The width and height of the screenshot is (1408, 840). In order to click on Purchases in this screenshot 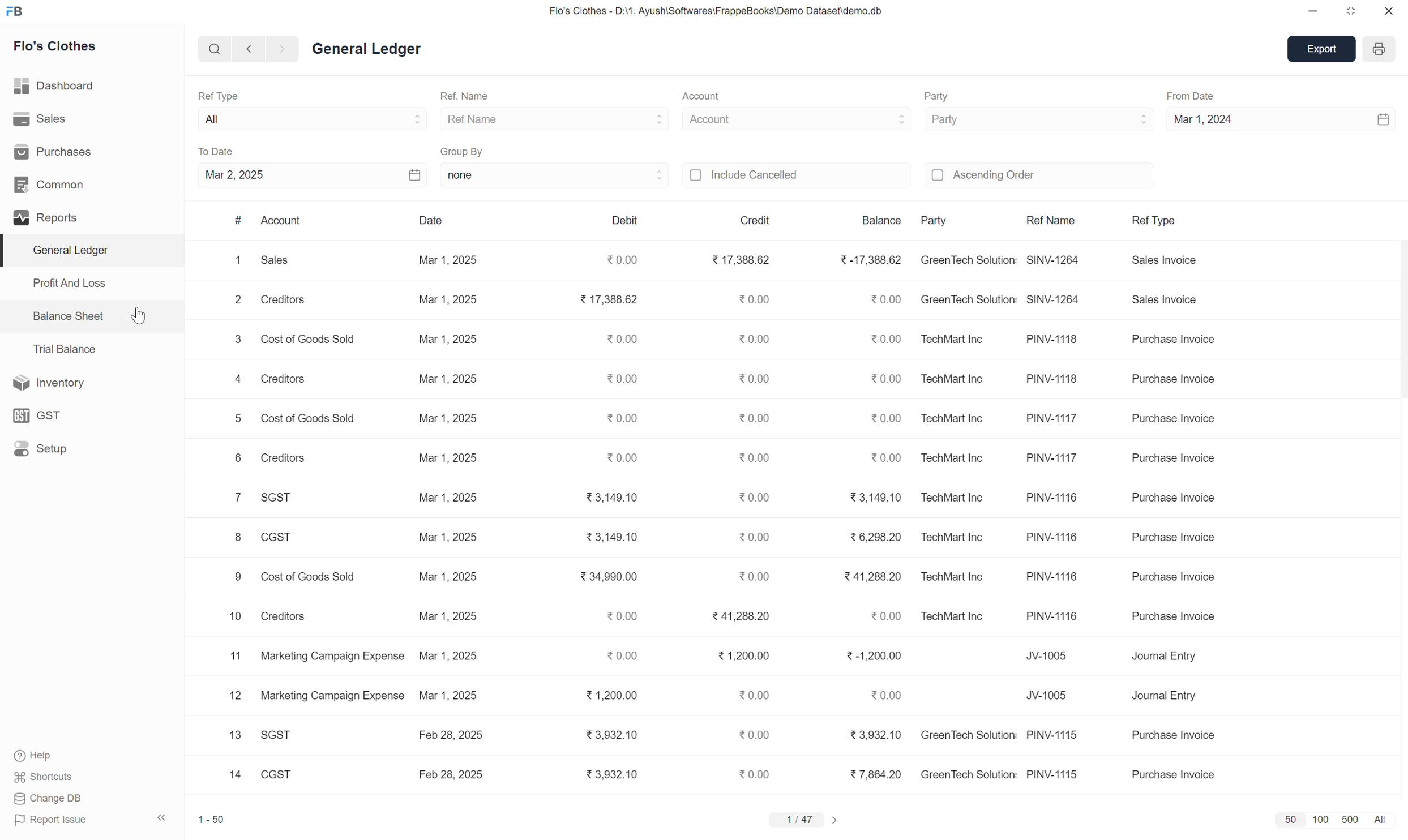, I will do `click(62, 153)`.